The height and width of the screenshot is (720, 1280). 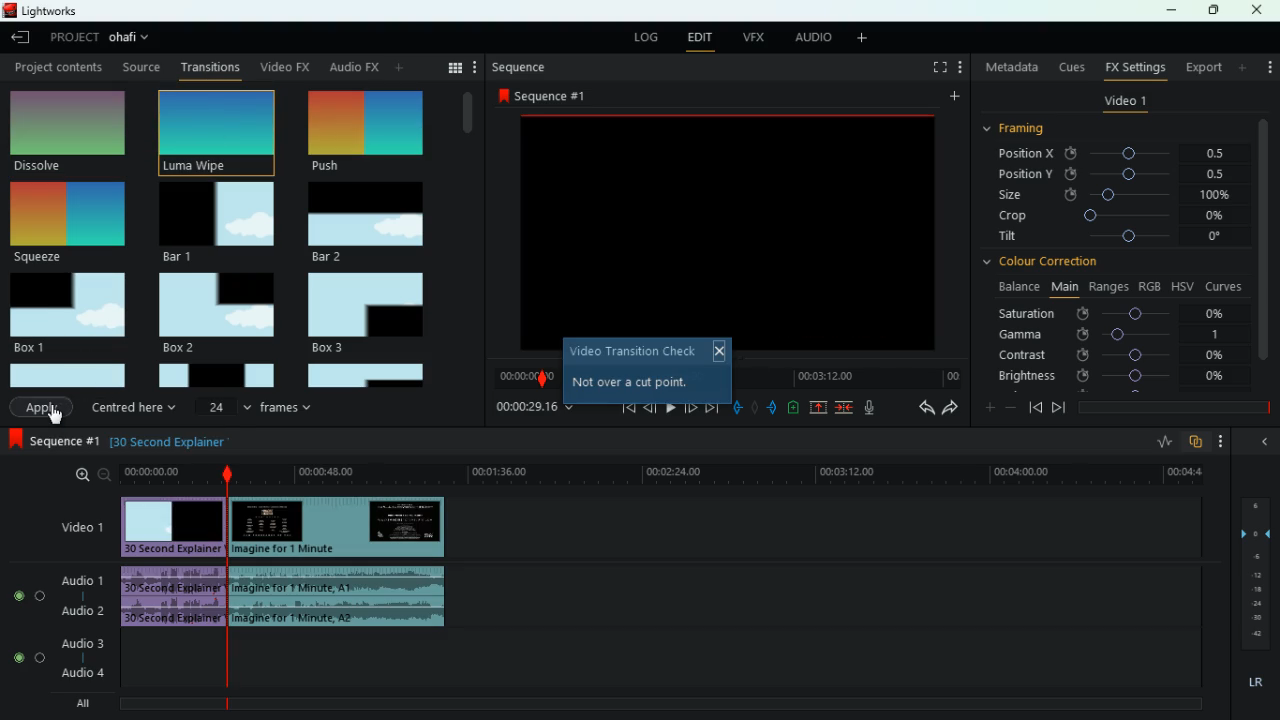 I want to click on audio, so click(x=813, y=38).